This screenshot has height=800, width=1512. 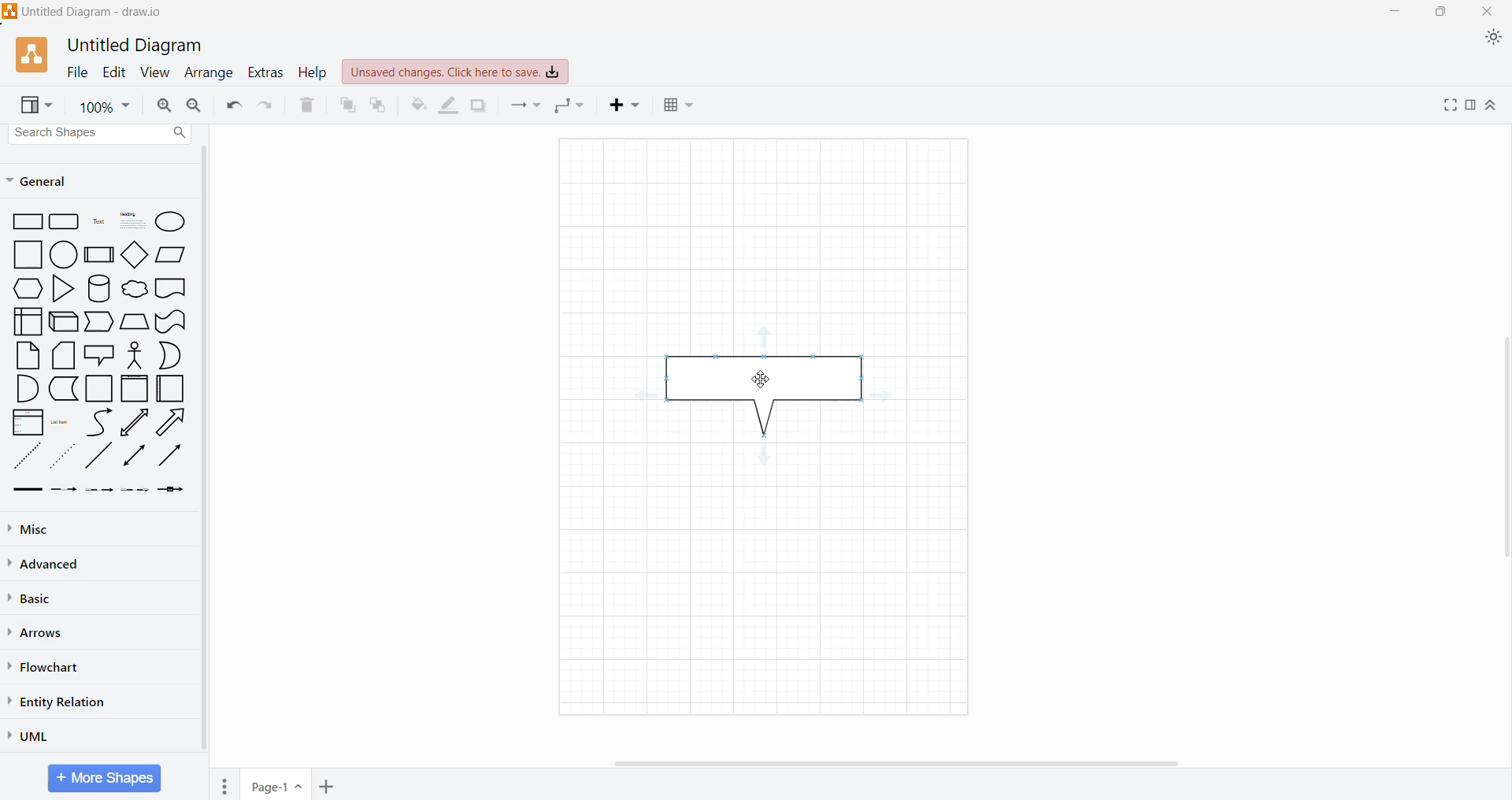 I want to click on Vertical Scroll Bar, so click(x=206, y=451).